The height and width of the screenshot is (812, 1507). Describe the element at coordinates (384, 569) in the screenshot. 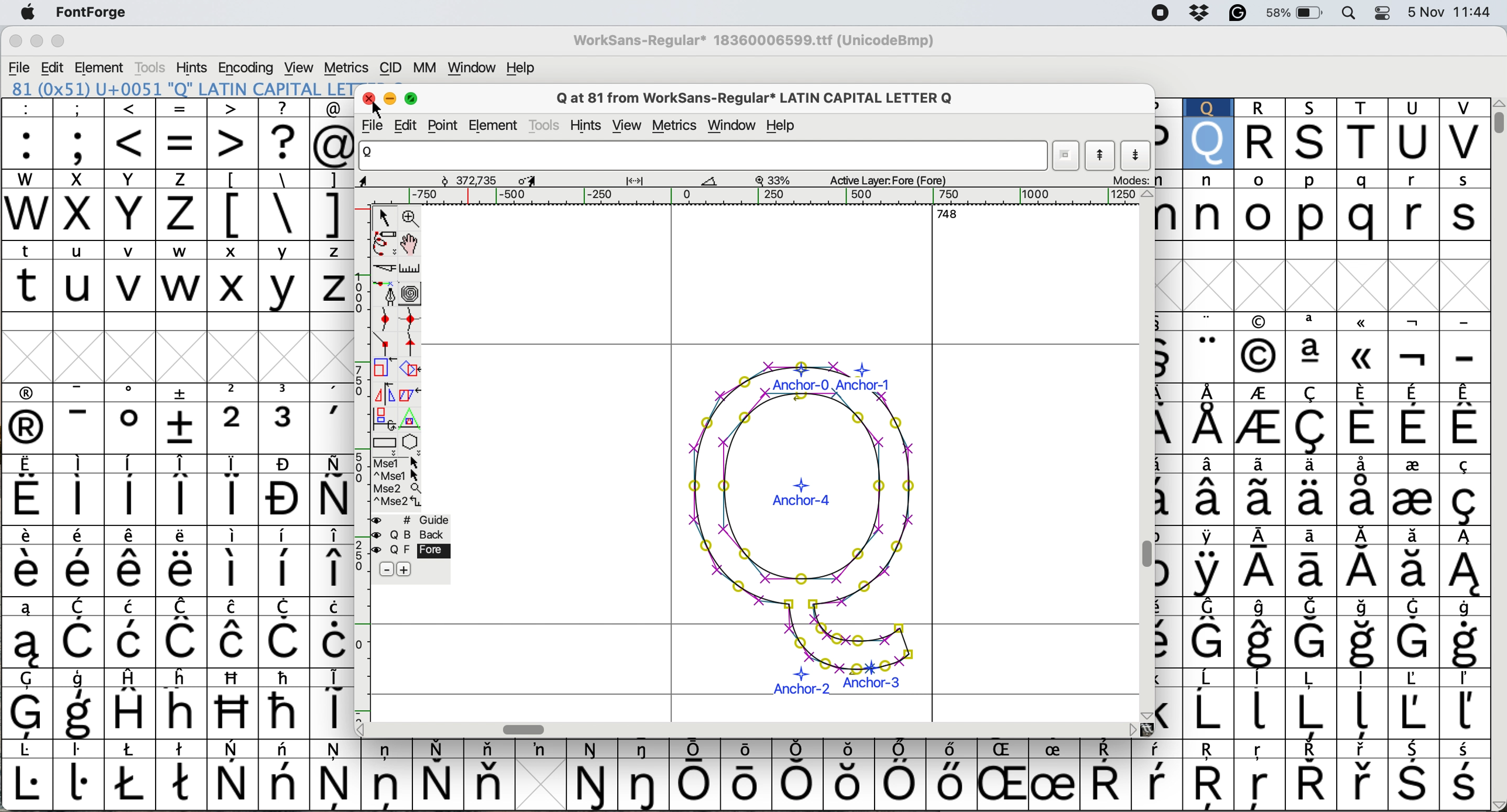

I see `remove` at that location.